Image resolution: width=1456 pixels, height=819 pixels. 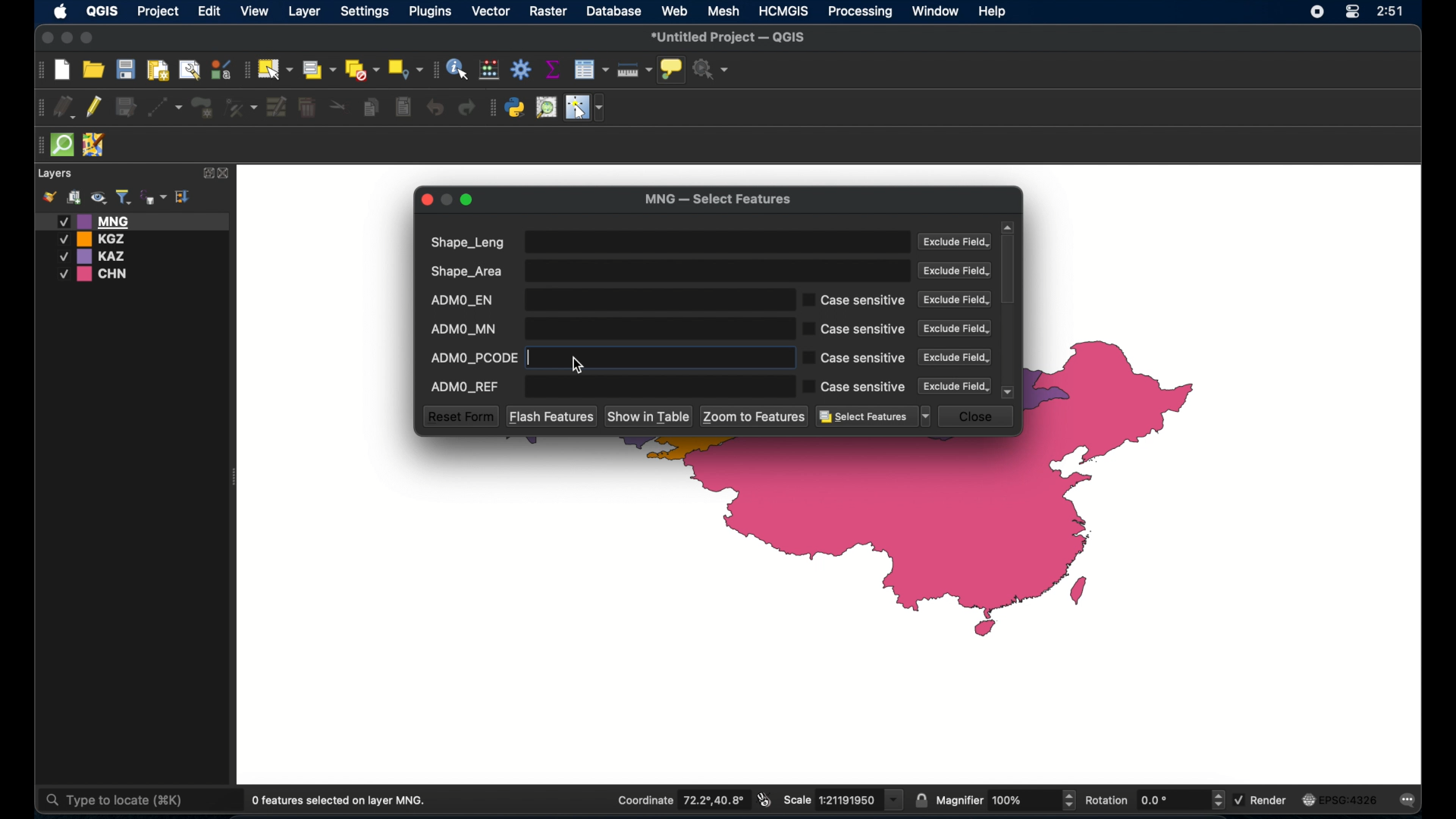 I want to click on close, so click(x=45, y=37).